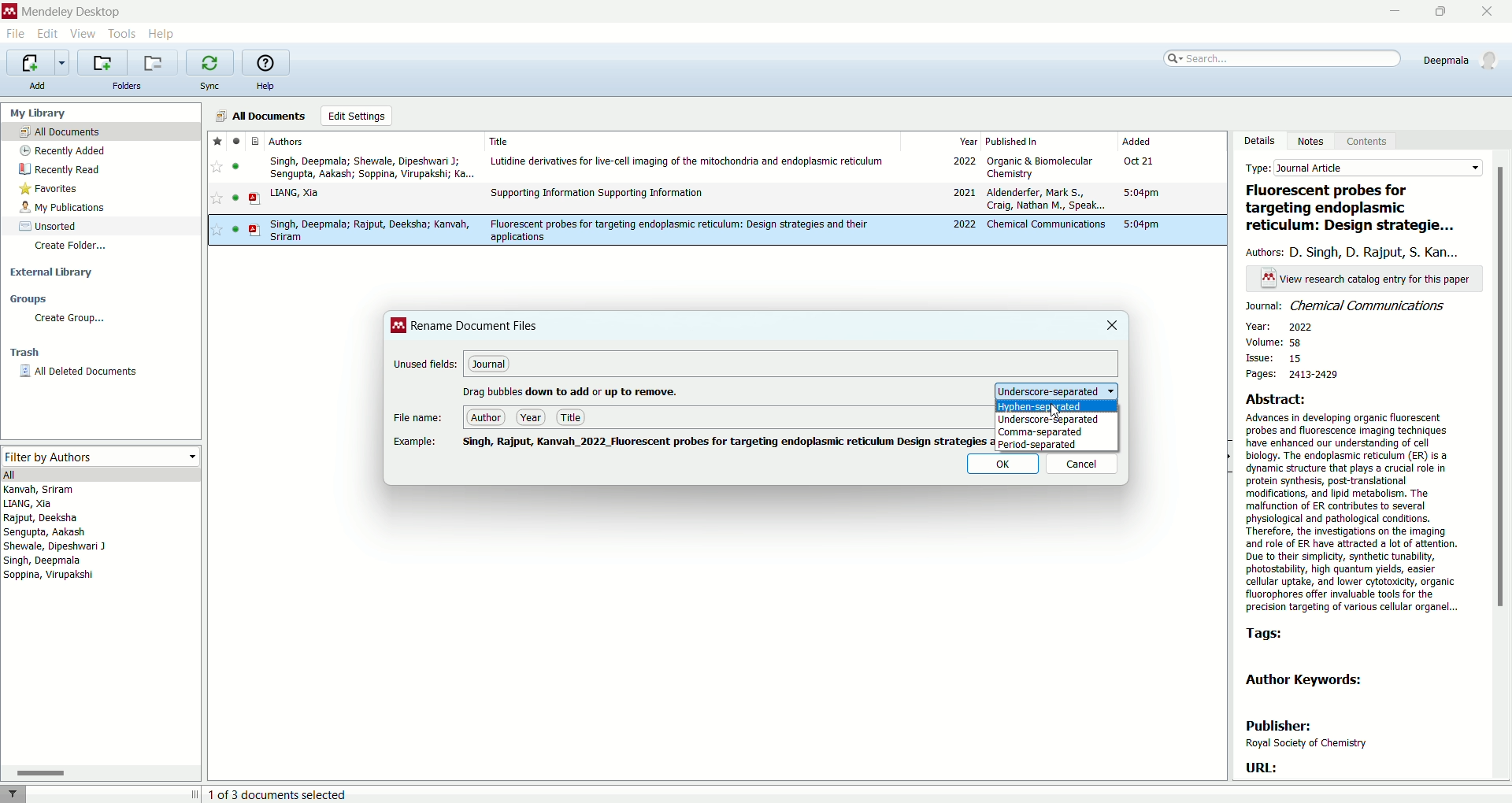 The image size is (1512, 803). I want to click on read/unread, so click(232, 230).